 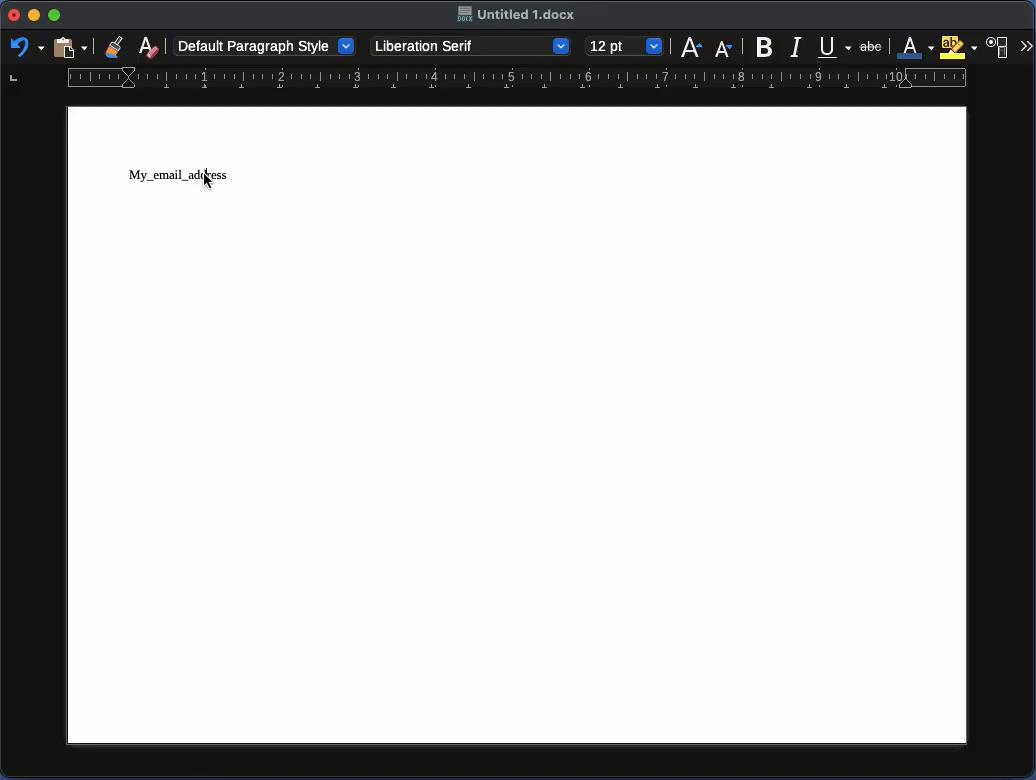 What do you see at coordinates (796, 46) in the screenshot?
I see `Italics` at bounding box center [796, 46].